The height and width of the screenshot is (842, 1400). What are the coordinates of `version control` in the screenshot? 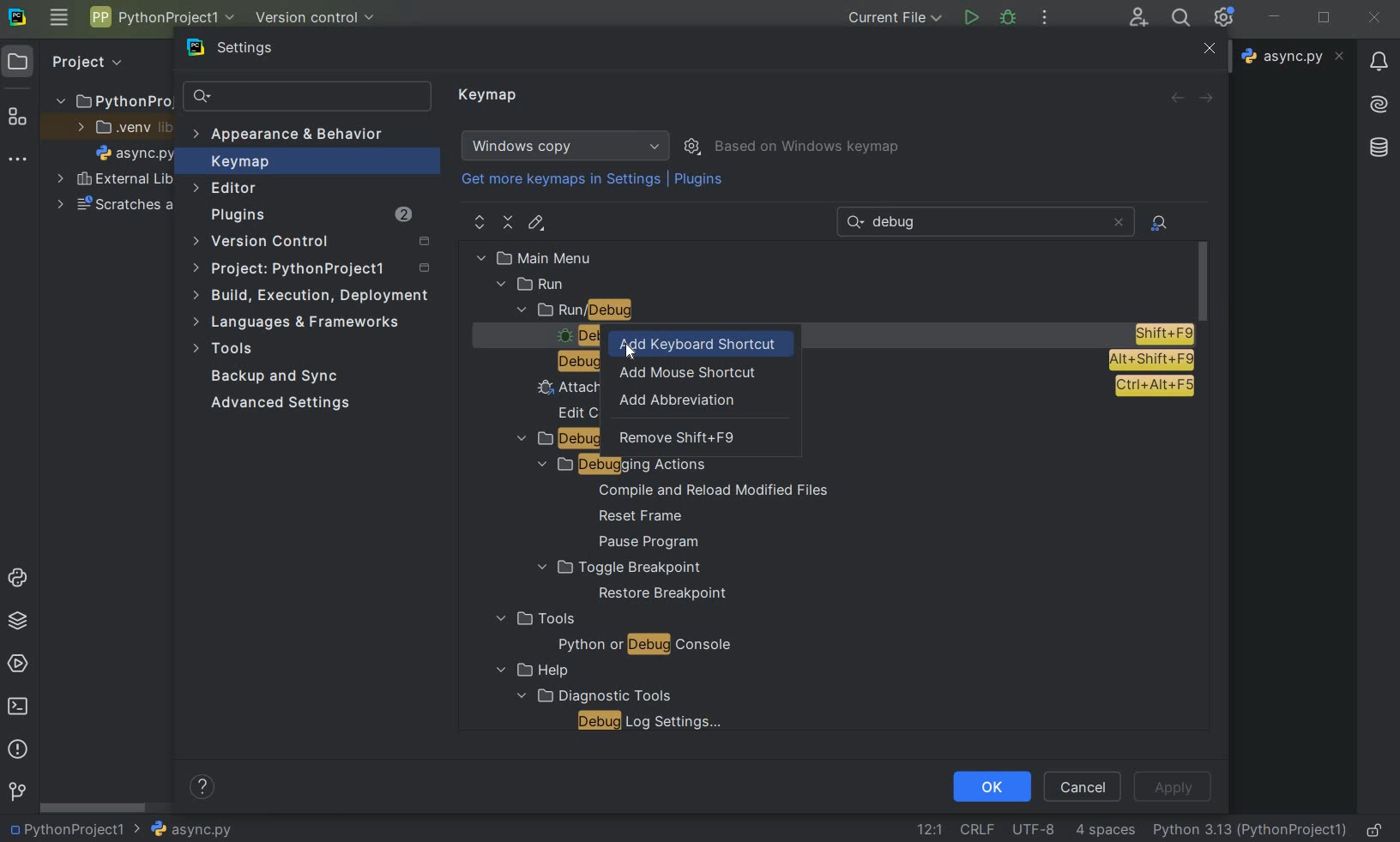 It's located at (321, 19).